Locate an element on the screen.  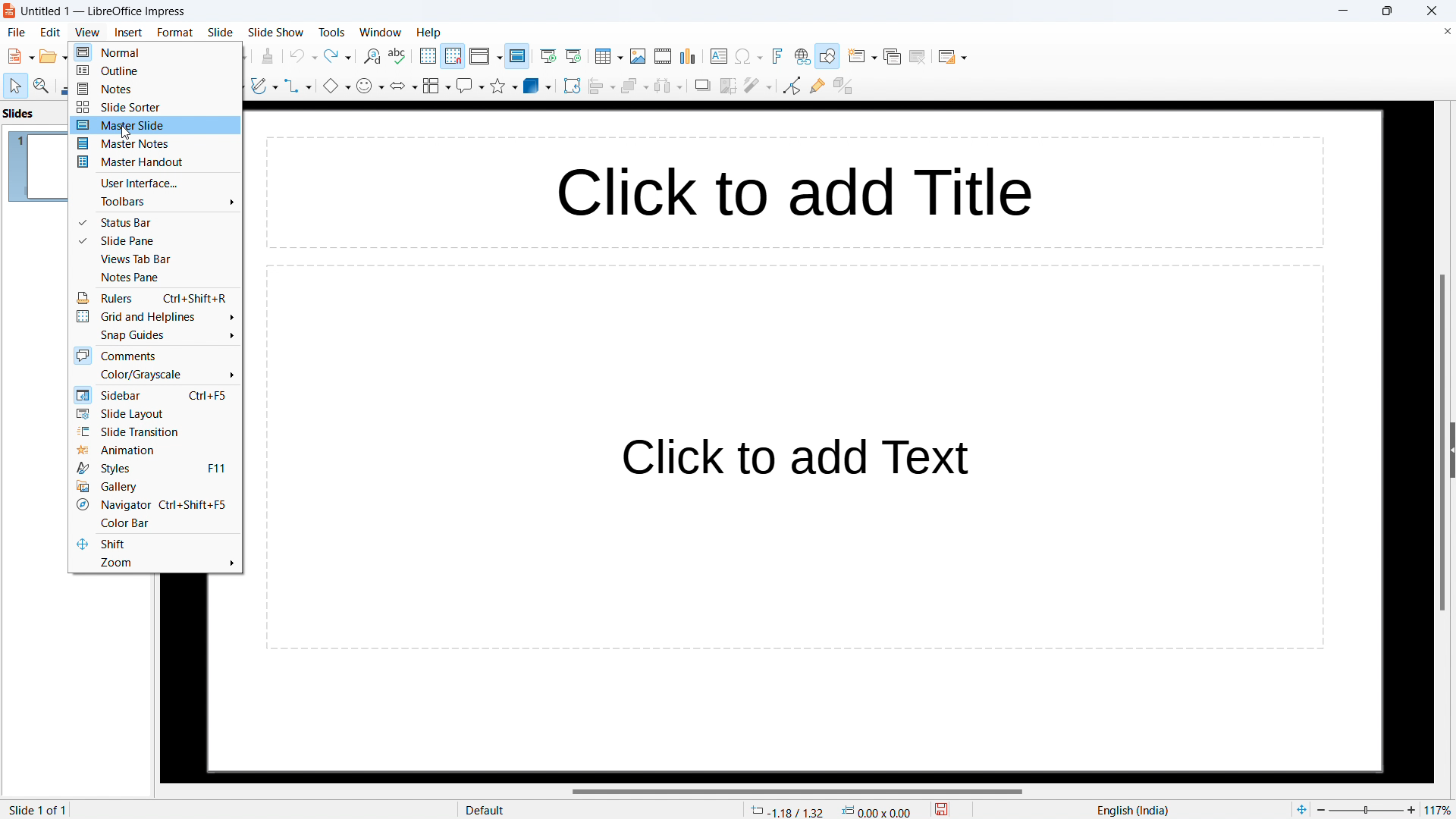
English(India) is located at coordinates (1129, 811).